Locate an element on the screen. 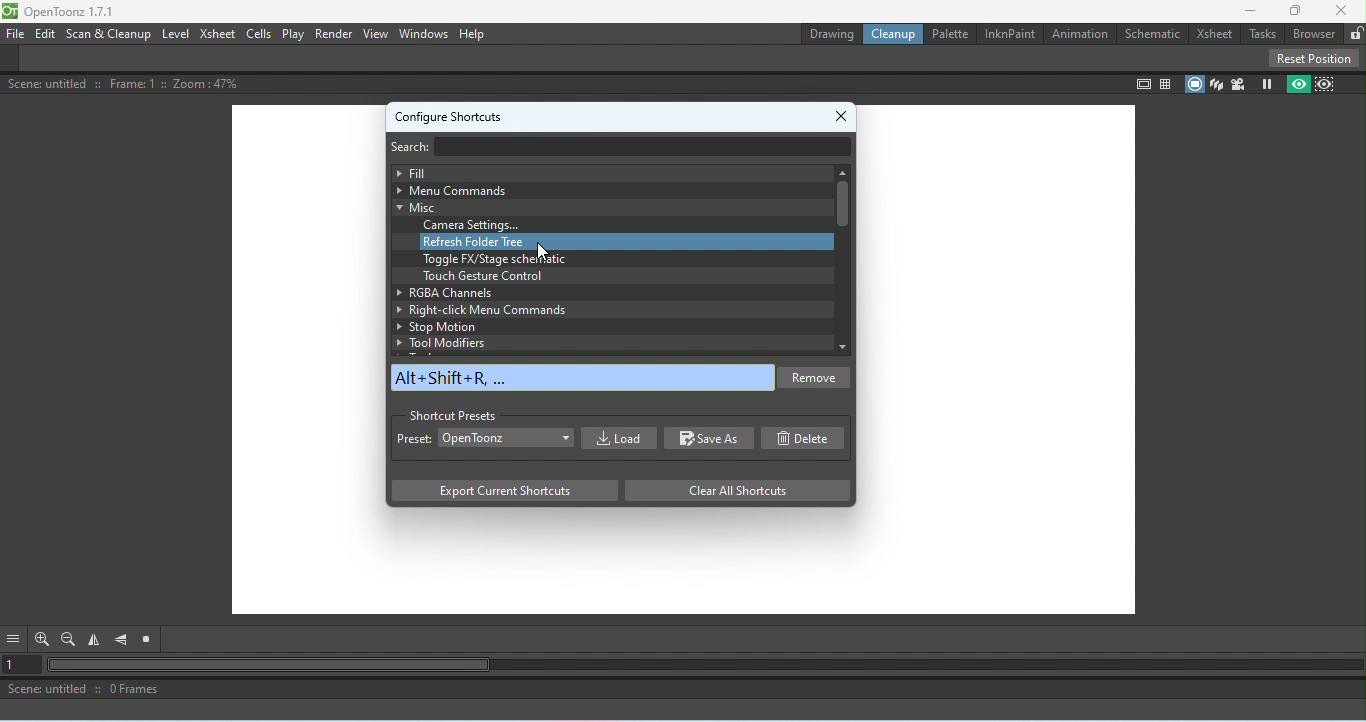 Image resolution: width=1366 pixels, height=722 pixels. View is located at coordinates (374, 35).